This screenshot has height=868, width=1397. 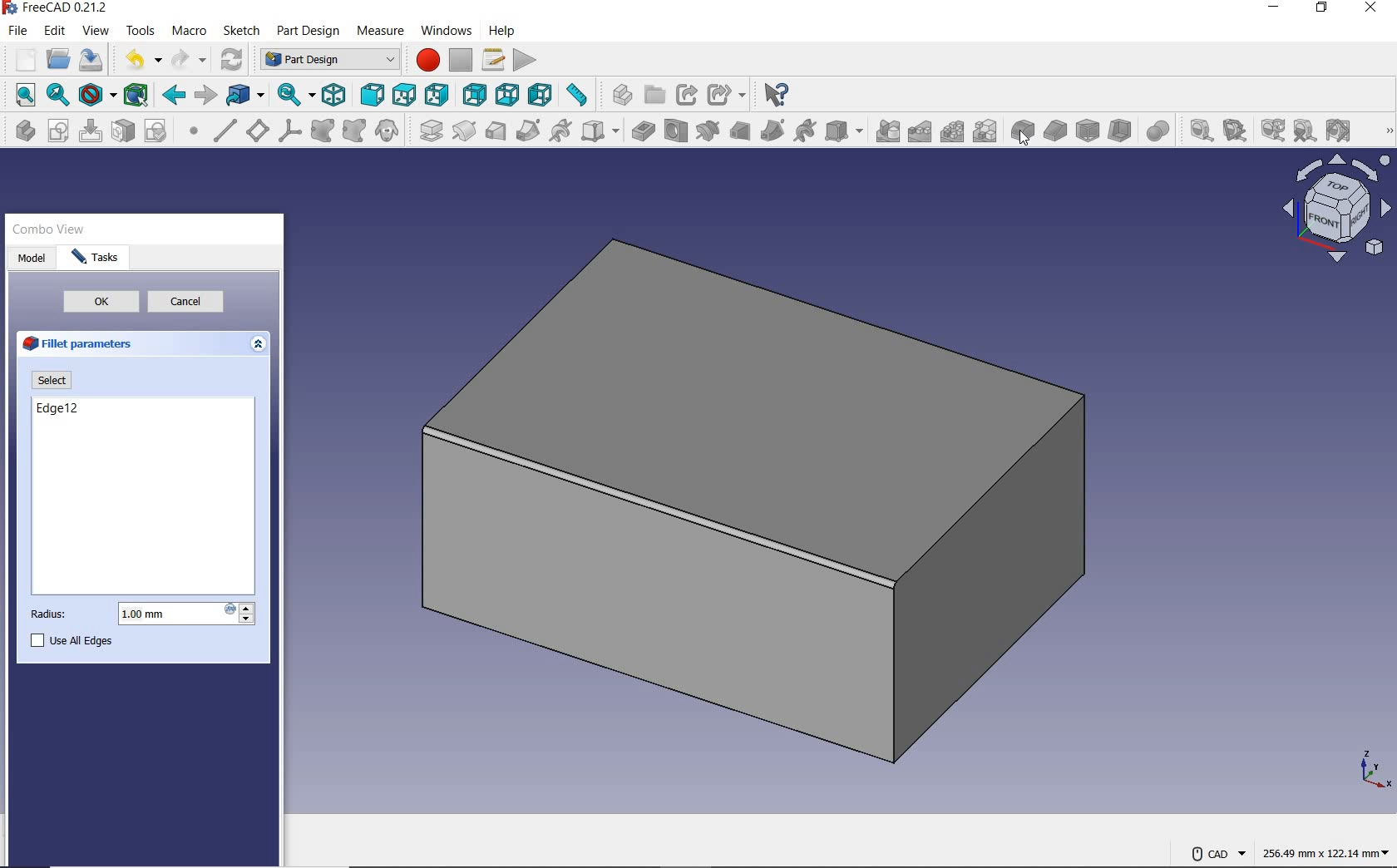 What do you see at coordinates (122, 131) in the screenshot?
I see `map sketch to face` at bounding box center [122, 131].